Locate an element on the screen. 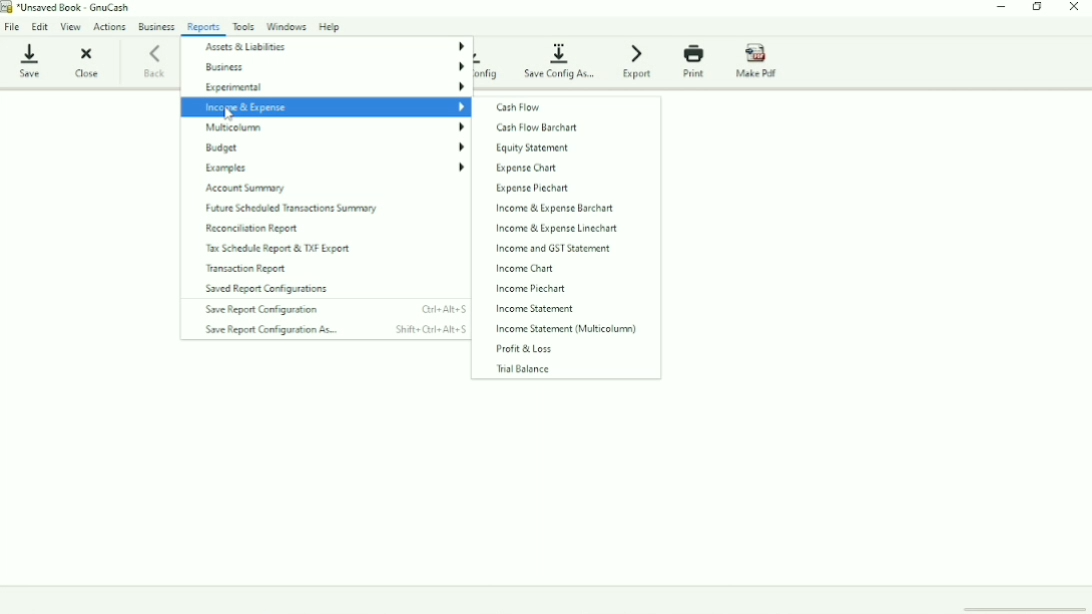 This screenshot has height=614, width=1092. Equity Statement is located at coordinates (530, 149).